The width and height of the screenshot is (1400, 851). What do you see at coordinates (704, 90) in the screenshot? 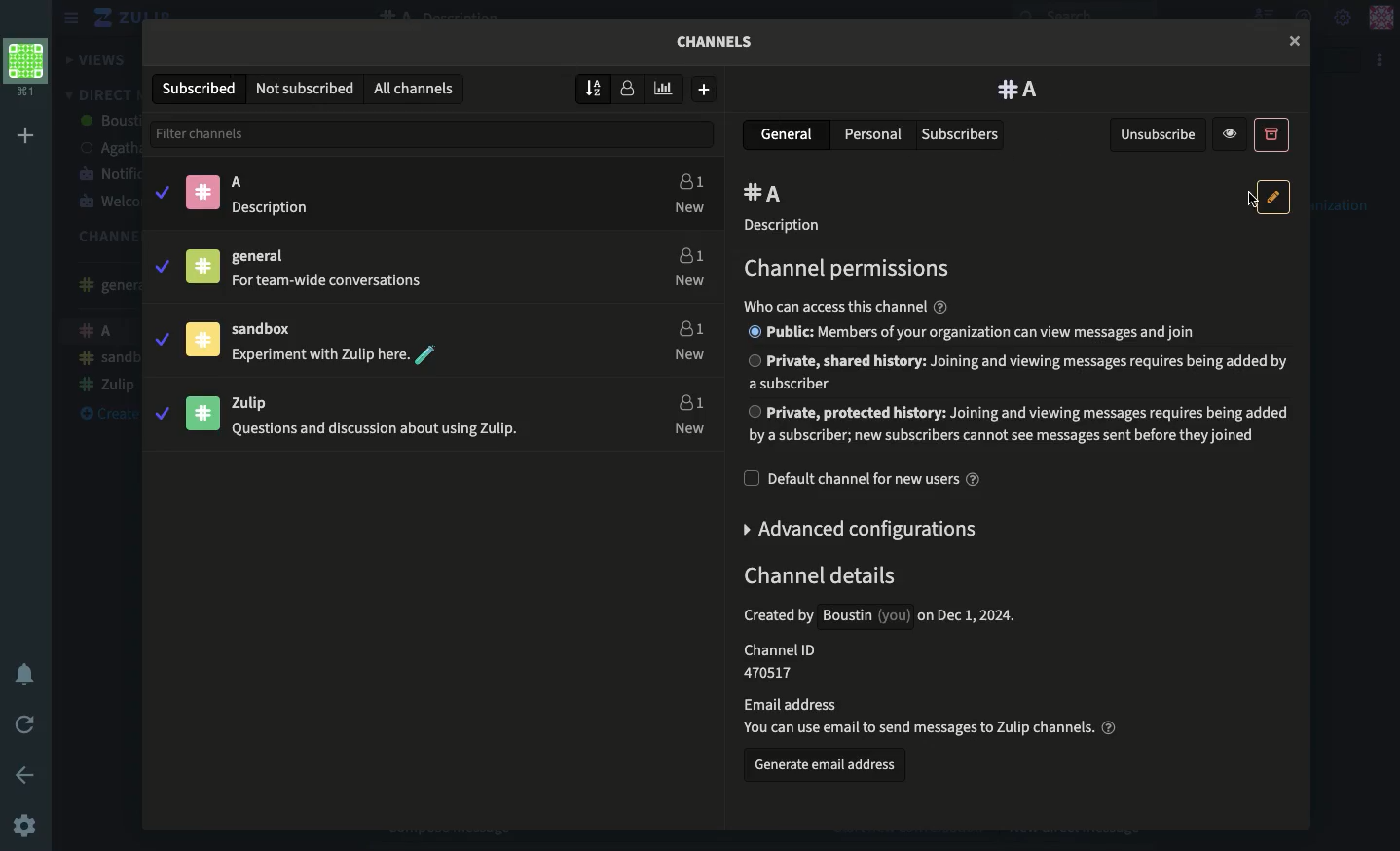
I see `Add` at bounding box center [704, 90].